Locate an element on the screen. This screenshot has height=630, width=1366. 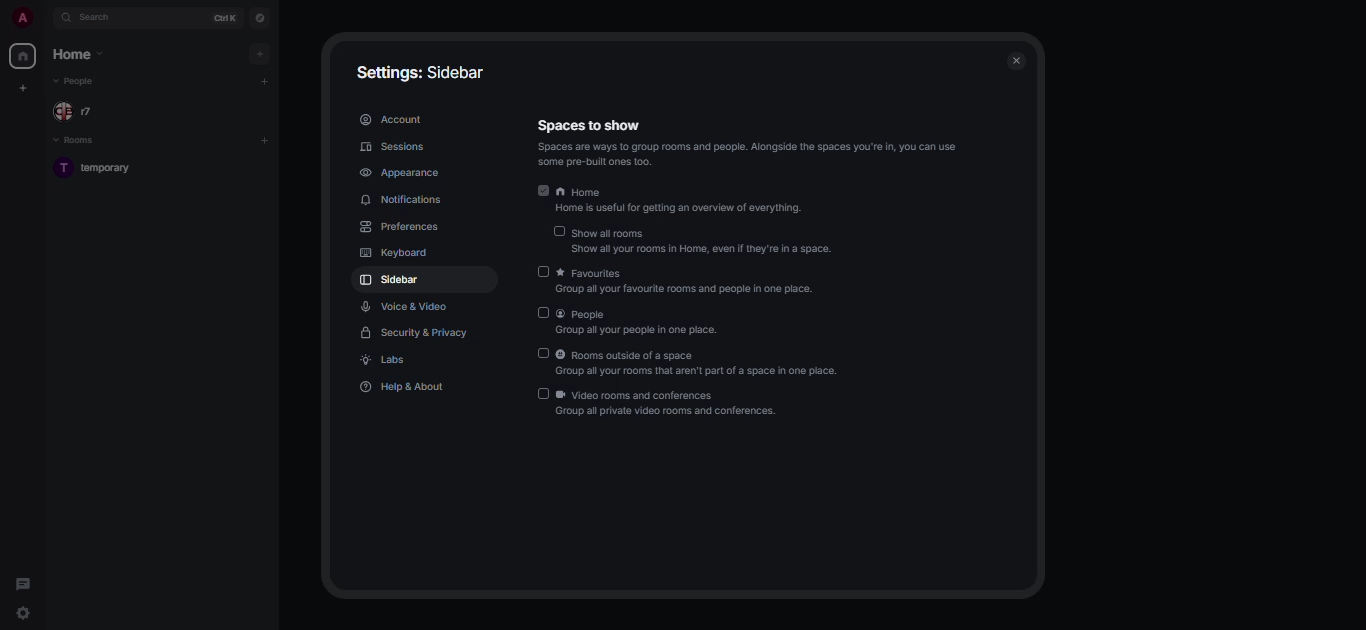
sidebar is located at coordinates (391, 281).